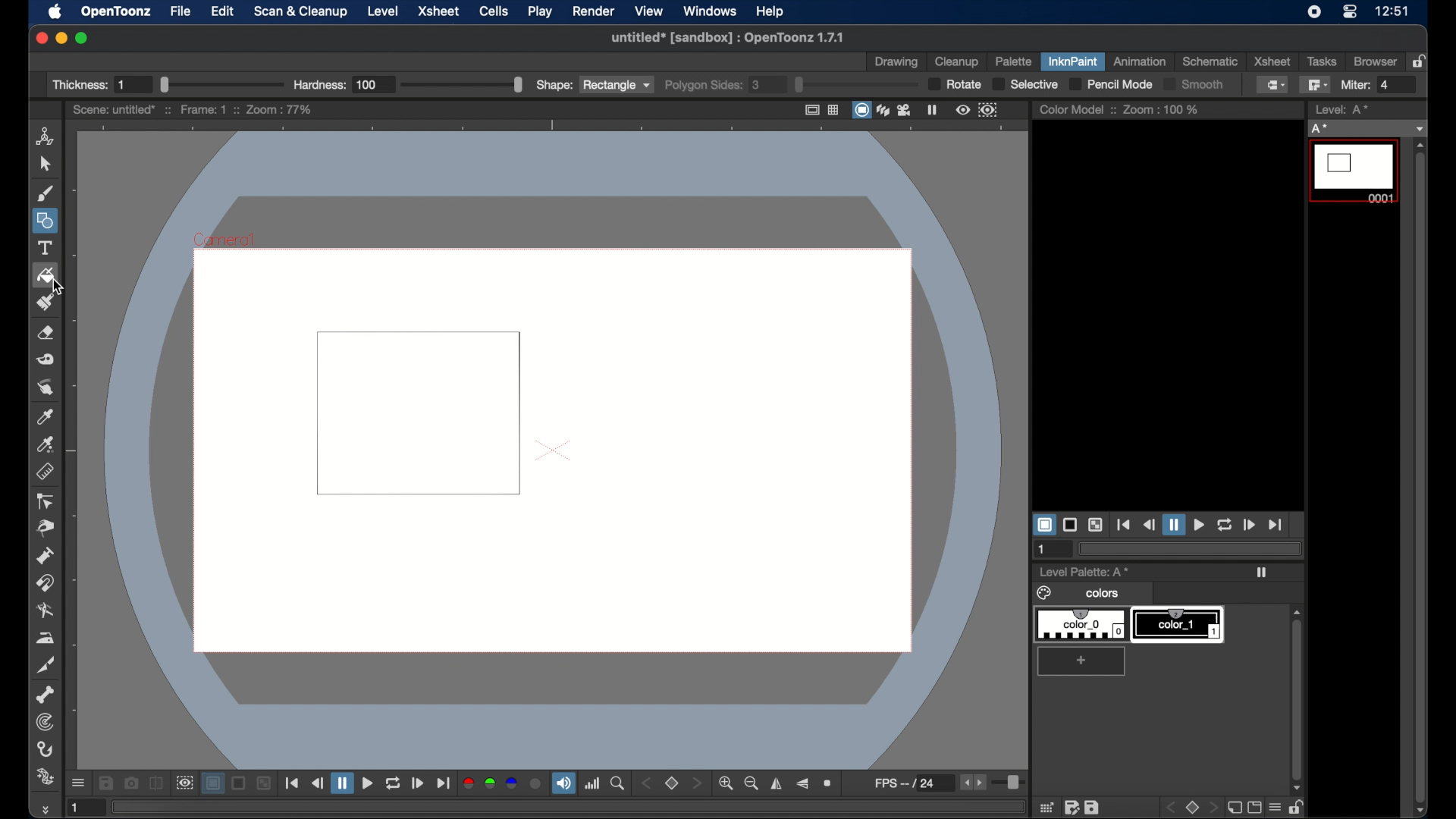 The height and width of the screenshot is (819, 1456). What do you see at coordinates (955, 85) in the screenshot?
I see `rotate` at bounding box center [955, 85].